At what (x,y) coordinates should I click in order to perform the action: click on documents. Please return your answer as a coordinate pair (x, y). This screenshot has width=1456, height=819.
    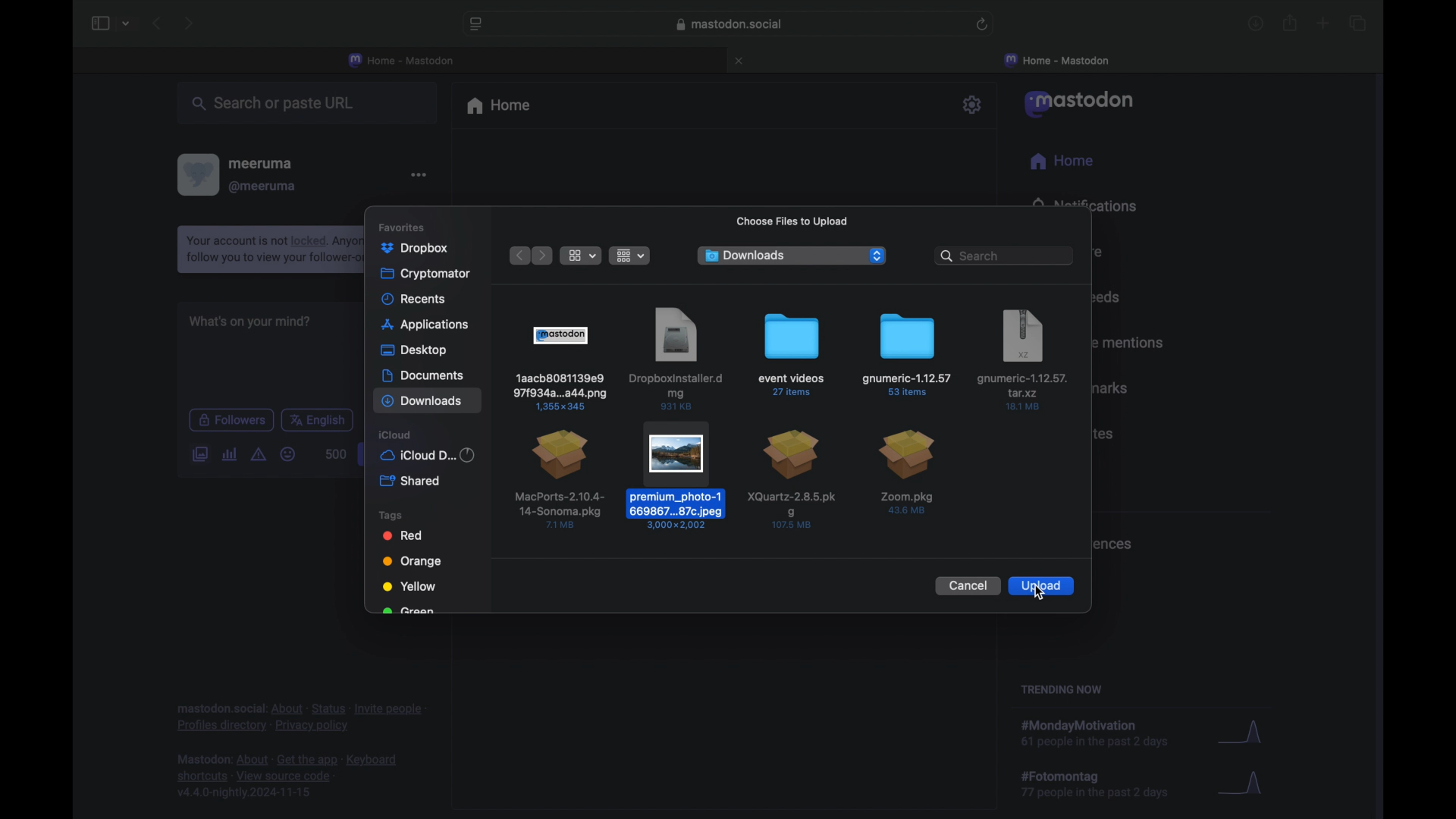
    Looking at the image, I should click on (423, 375).